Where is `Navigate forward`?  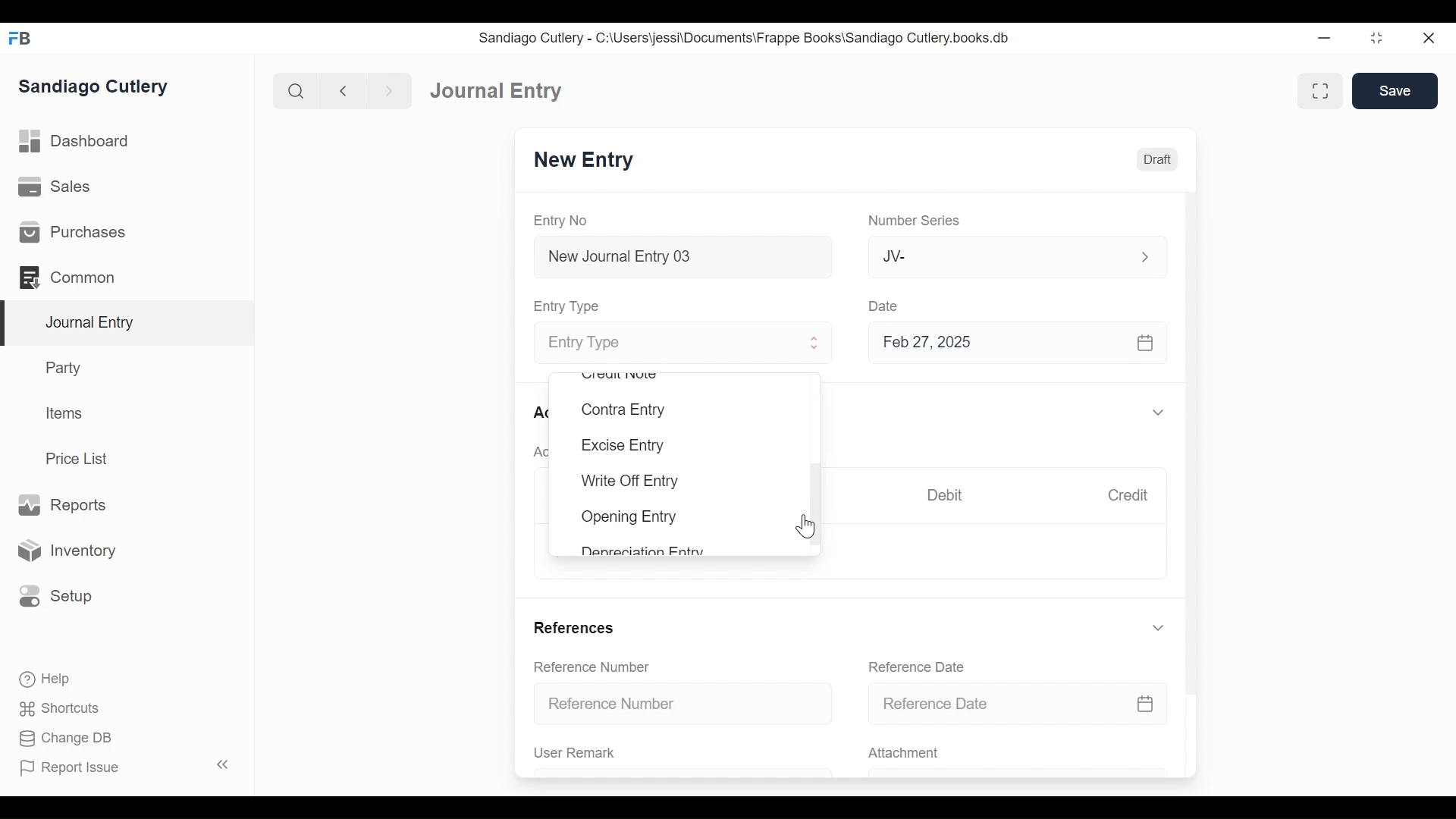
Navigate forward is located at coordinates (388, 91).